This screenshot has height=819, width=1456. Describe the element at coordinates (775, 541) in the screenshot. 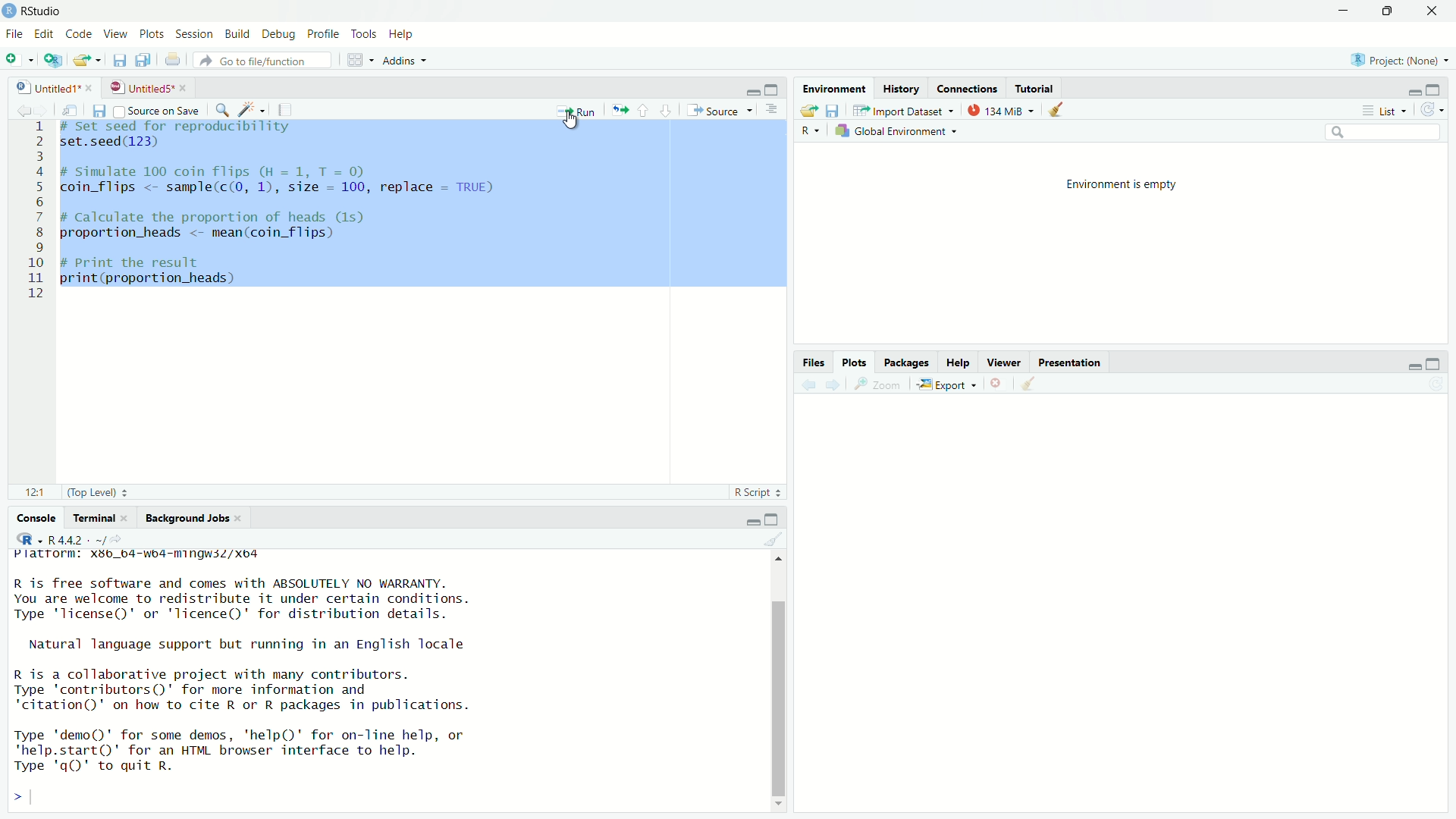

I see `clear console` at that location.